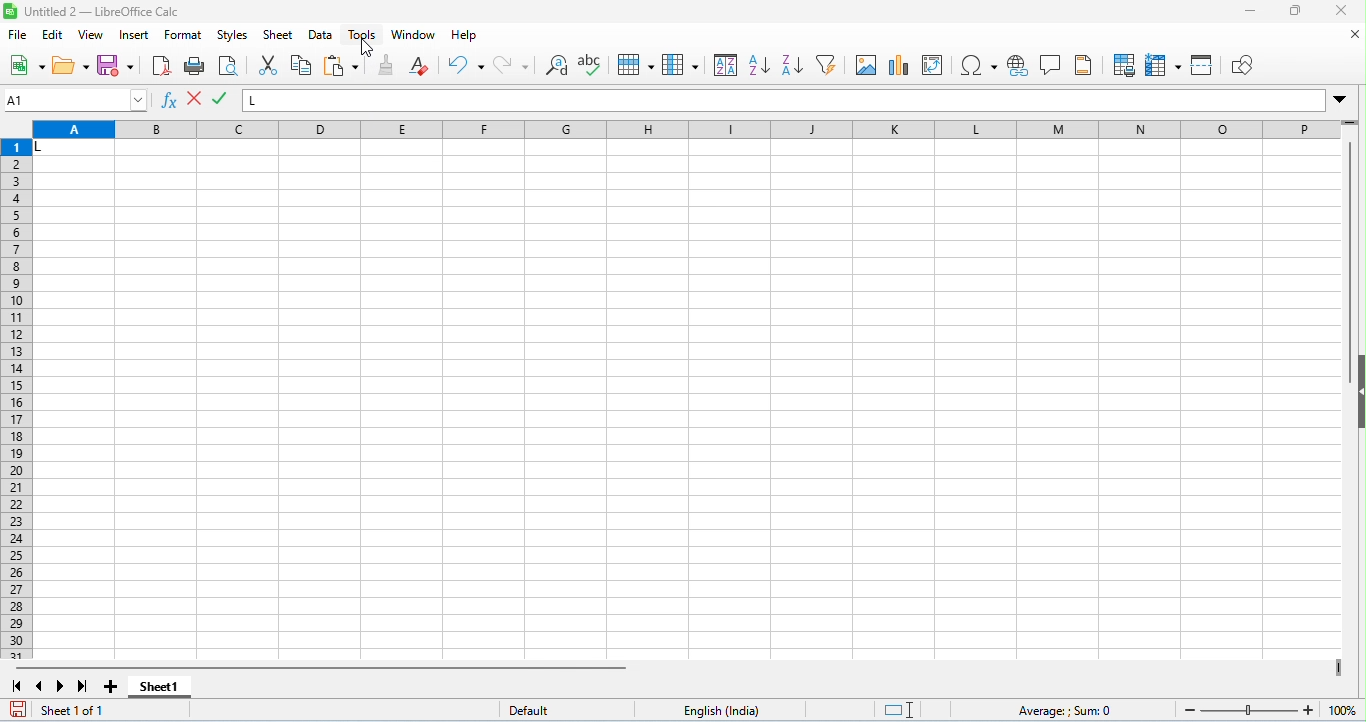 This screenshot has height=722, width=1366. Describe the element at coordinates (20, 709) in the screenshot. I see `save` at that location.